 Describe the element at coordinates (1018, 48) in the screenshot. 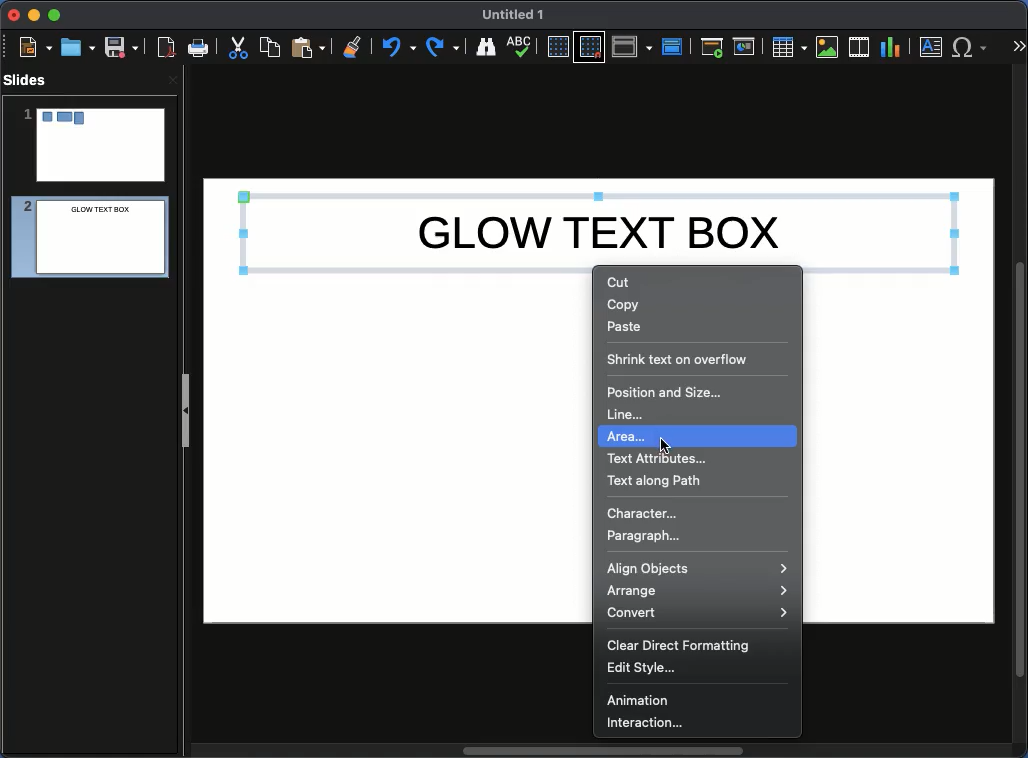

I see `More` at that location.